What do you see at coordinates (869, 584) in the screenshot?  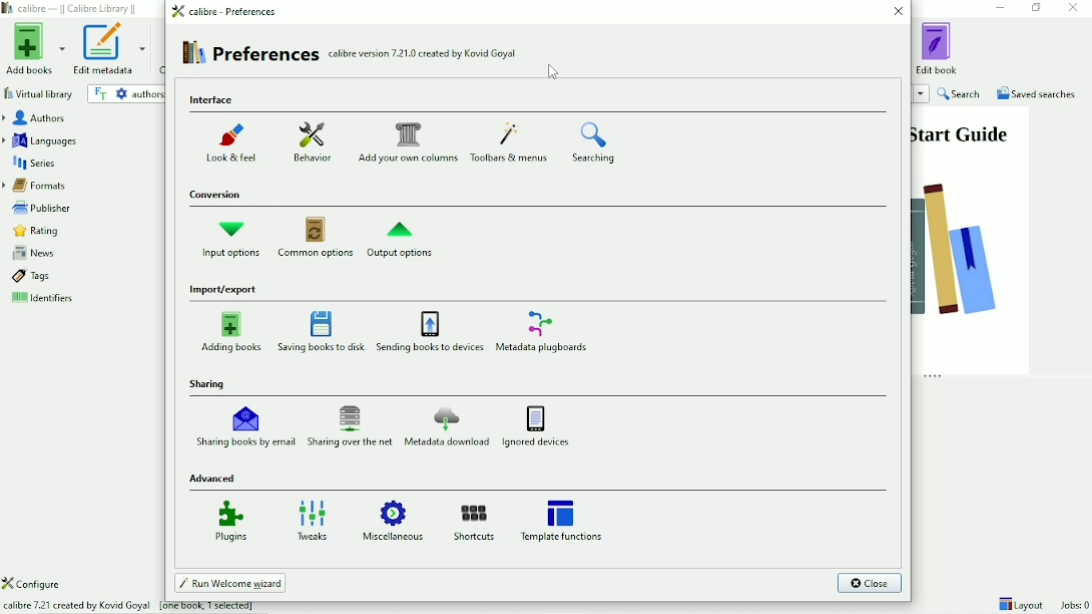 I see `Close` at bounding box center [869, 584].